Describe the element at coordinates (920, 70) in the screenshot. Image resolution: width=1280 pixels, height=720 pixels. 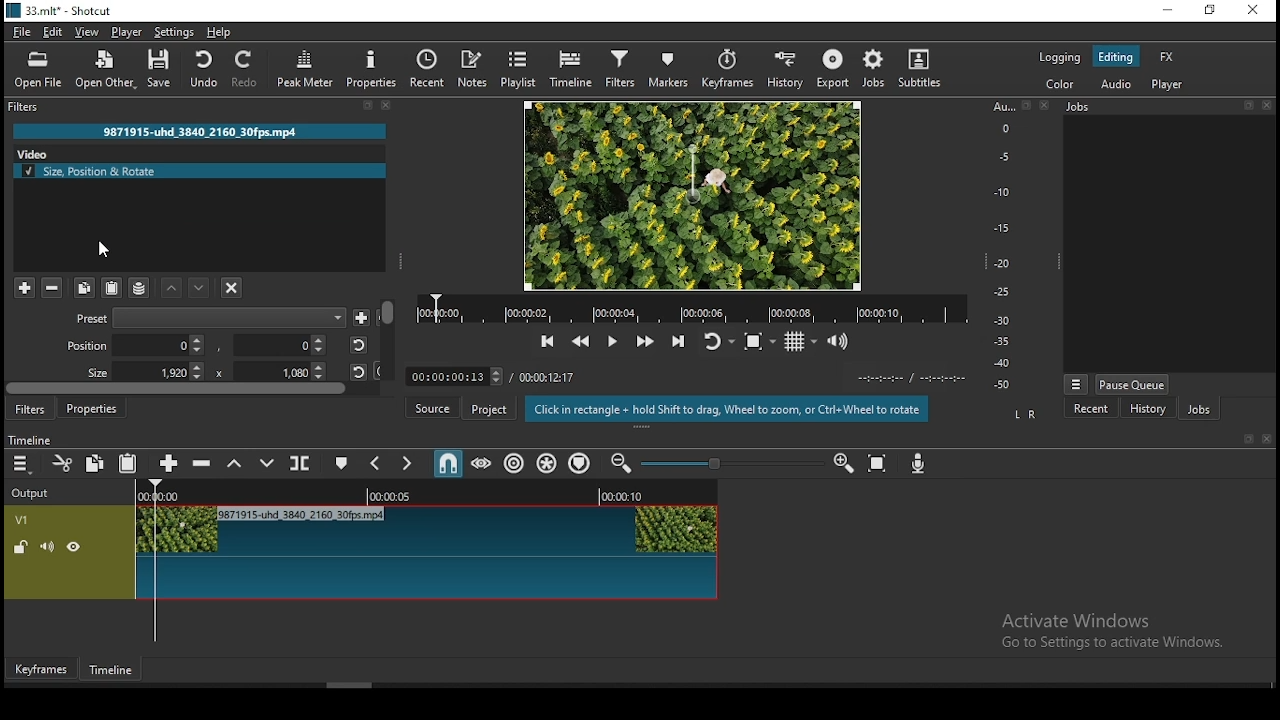
I see `subtitle` at that location.